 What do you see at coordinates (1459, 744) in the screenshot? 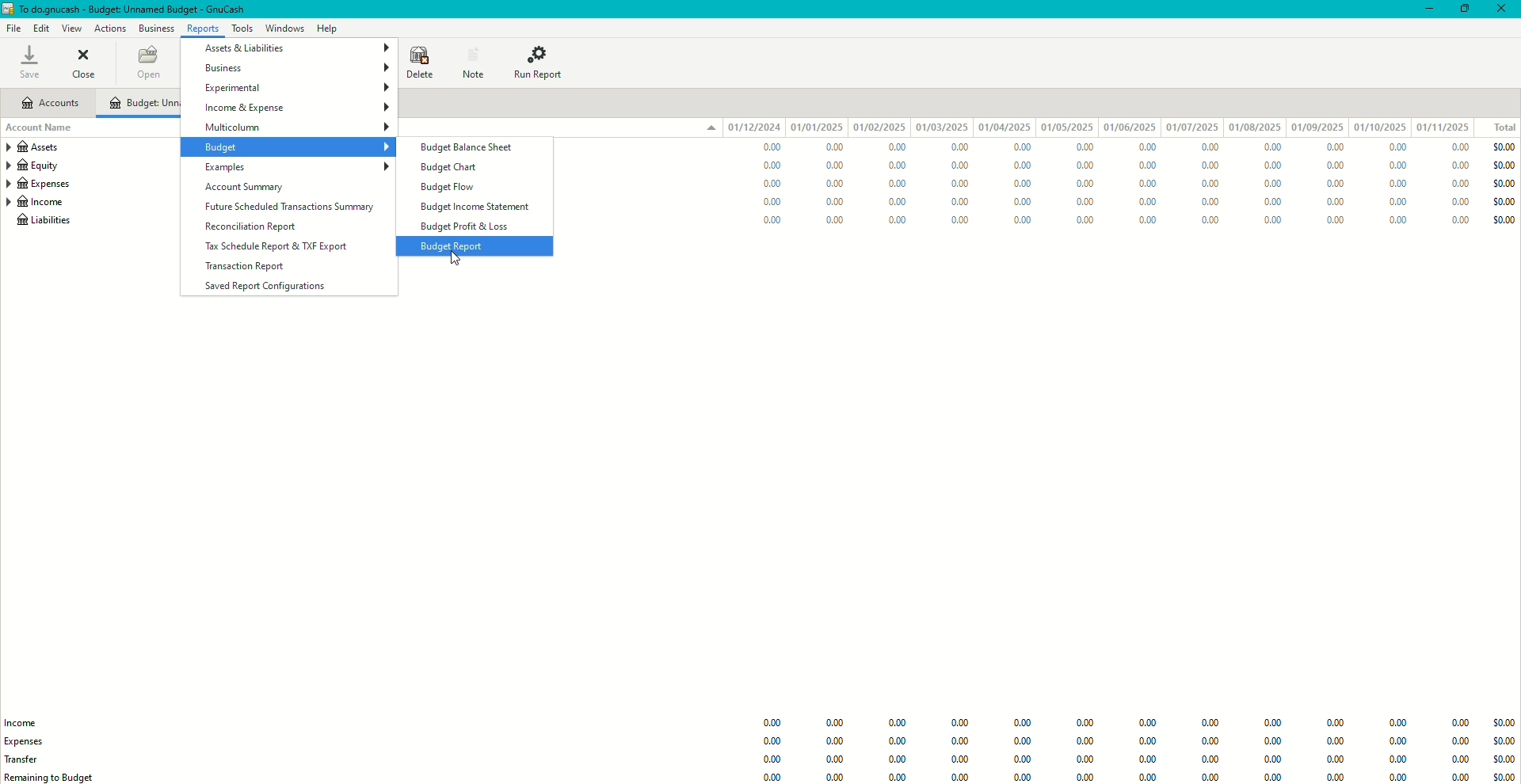
I see `0.00` at bounding box center [1459, 744].